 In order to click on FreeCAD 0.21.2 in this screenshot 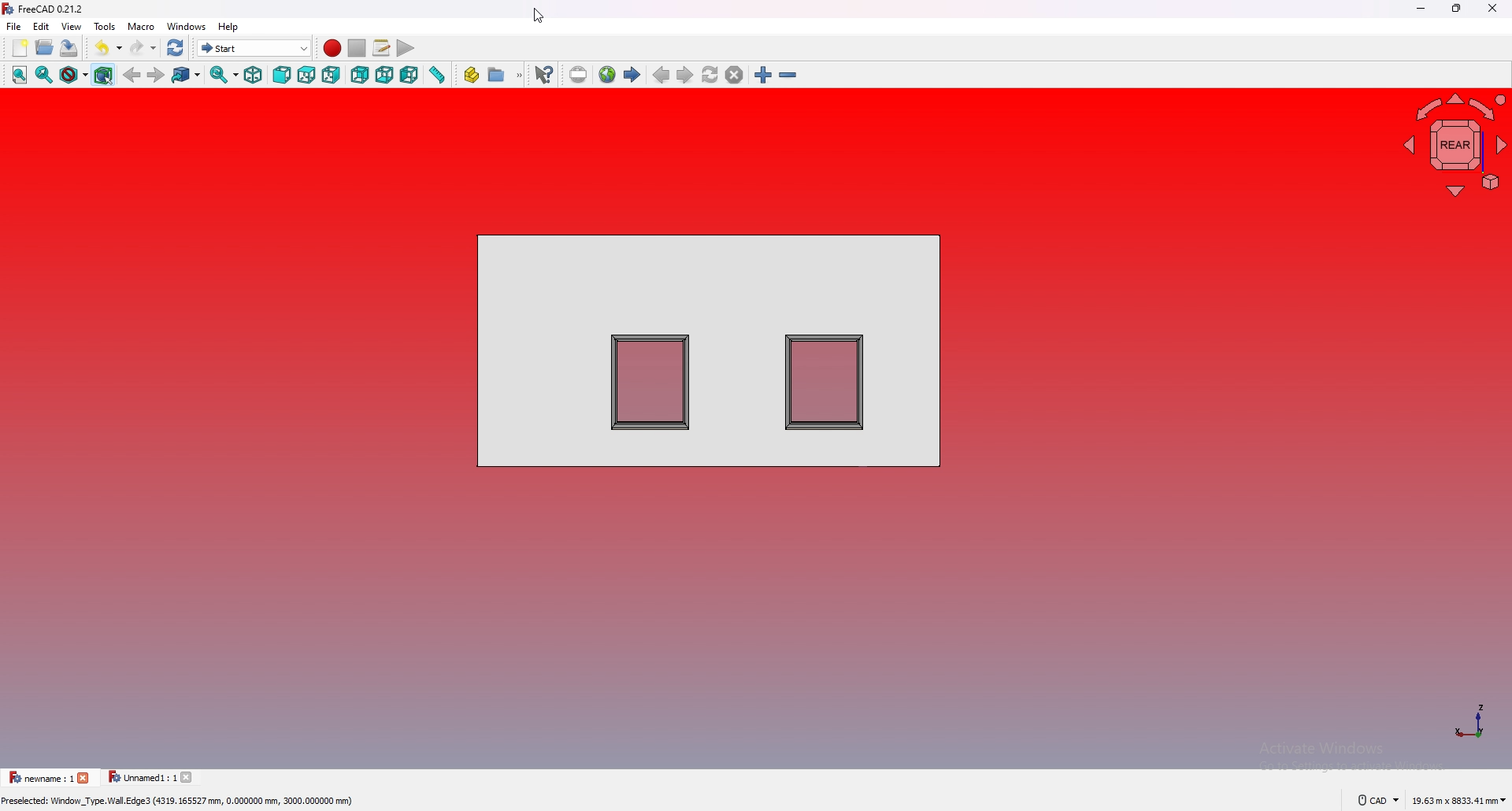, I will do `click(53, 9)`.